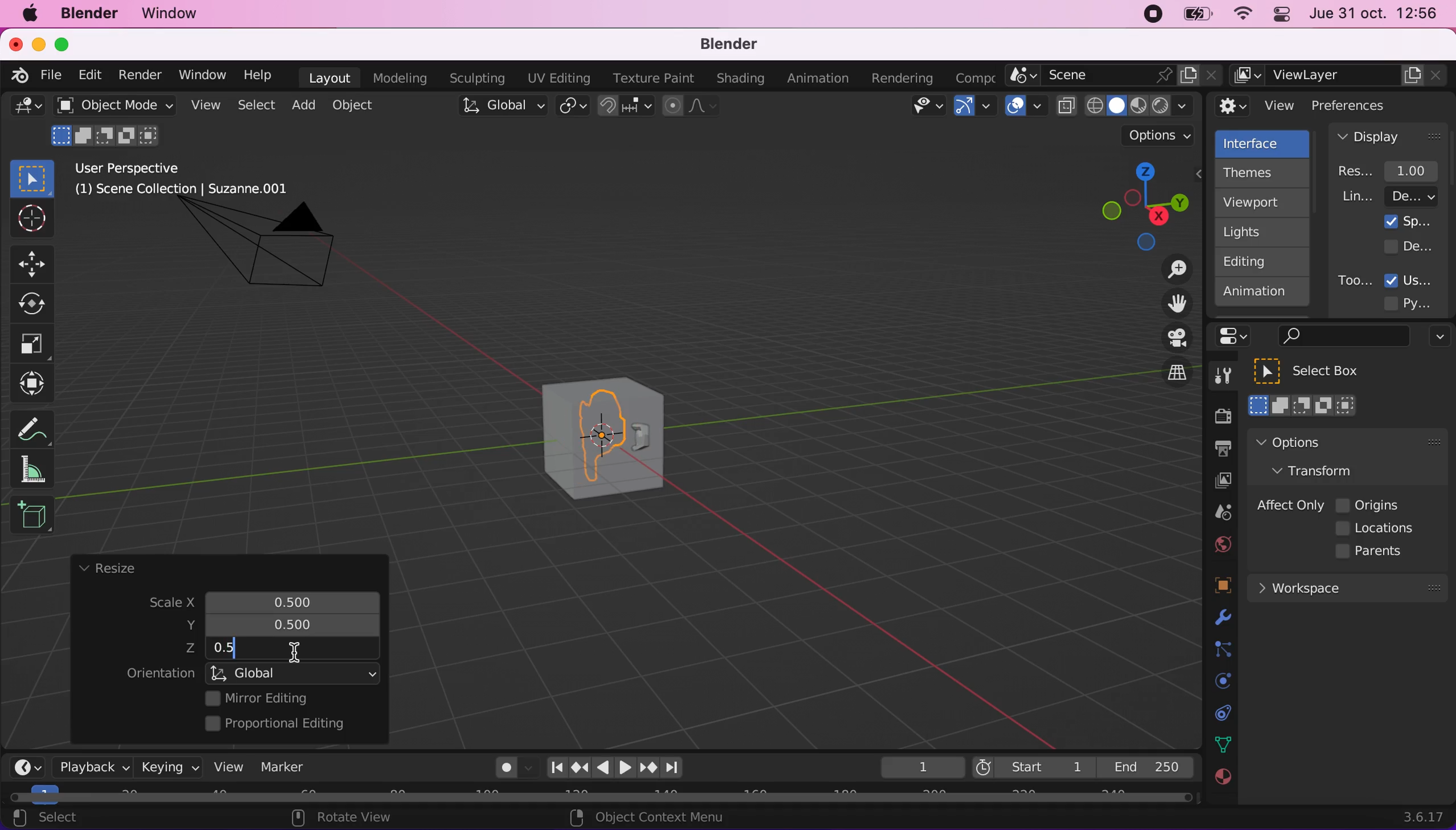 This screenshot has height=830, width=1456. What do you see at coordinates (1218, 513) in the screenshot?
I see `scene` at bounding box center [1218, 513].